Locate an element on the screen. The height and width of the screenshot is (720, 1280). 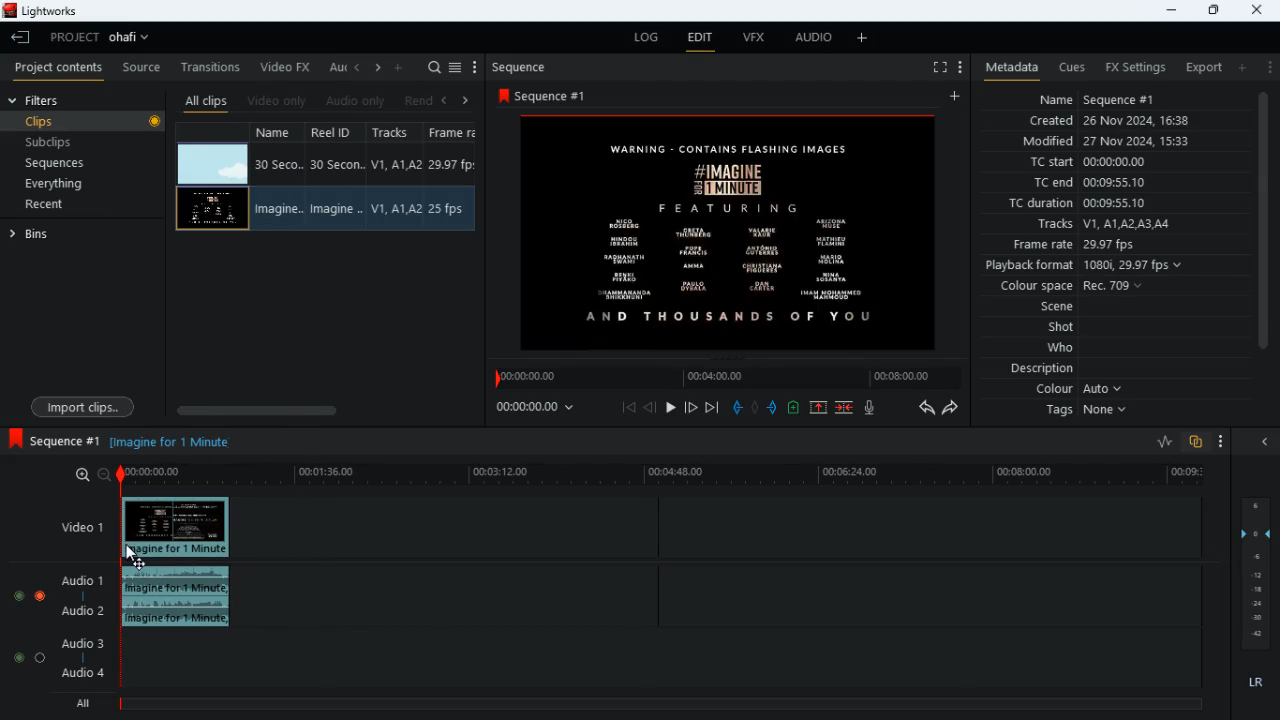
Track is located at coordinates (395, 208).